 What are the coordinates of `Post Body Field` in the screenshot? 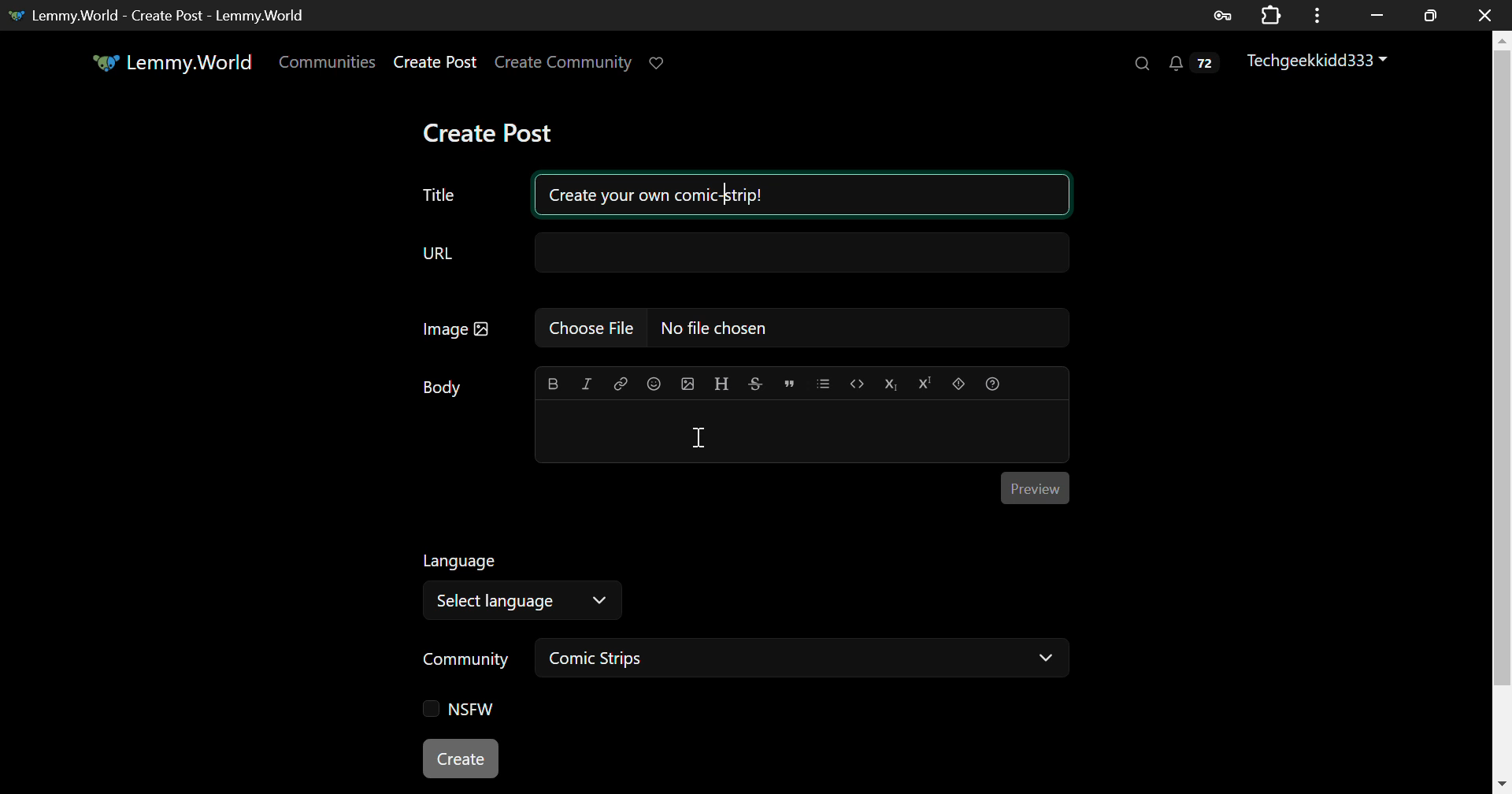 It's located at (802, 432).